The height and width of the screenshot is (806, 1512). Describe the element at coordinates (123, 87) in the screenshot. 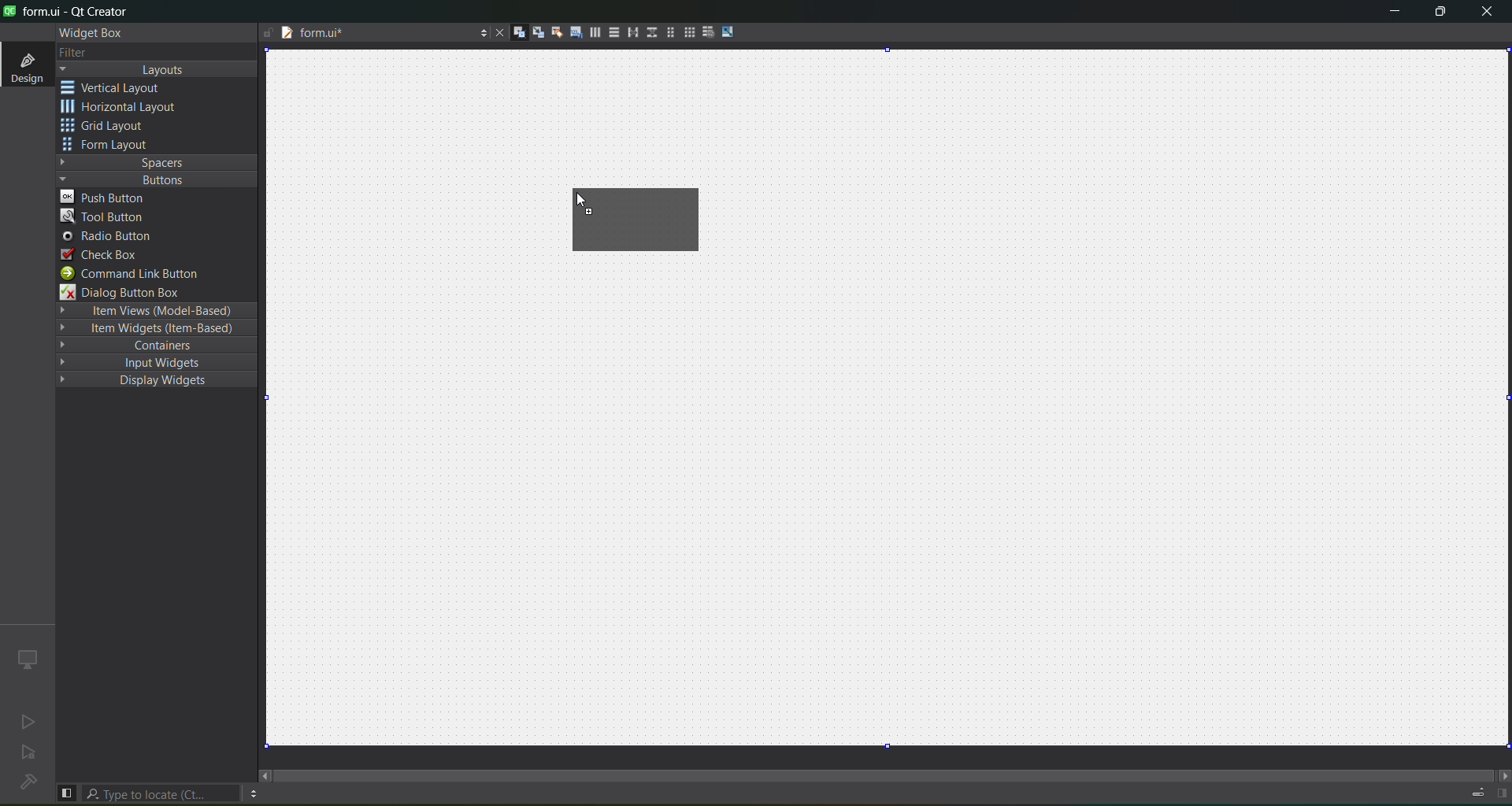

I see `vertical layout` at that location.